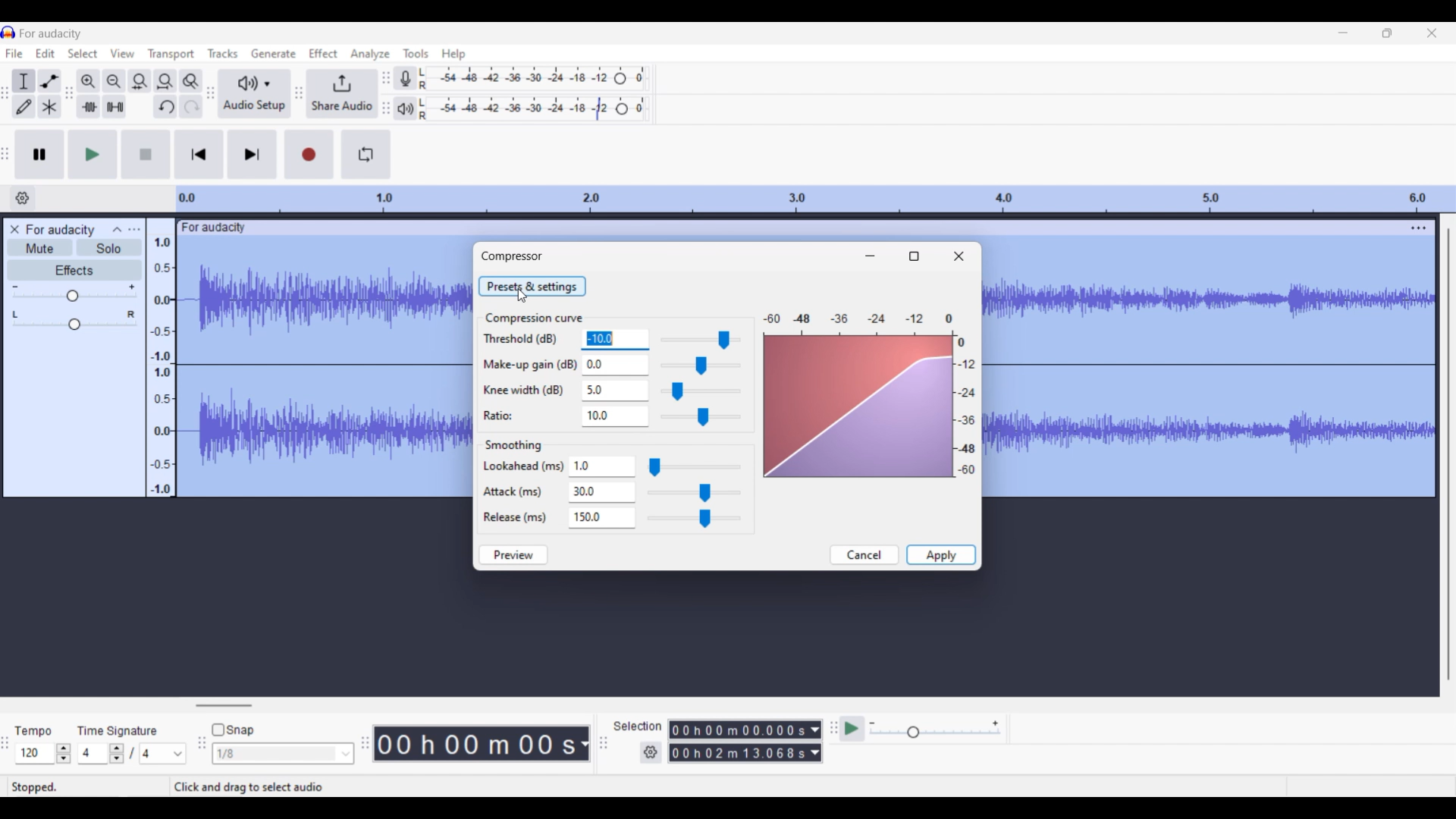  I want to click on Preset and settings, so click(532, 286).